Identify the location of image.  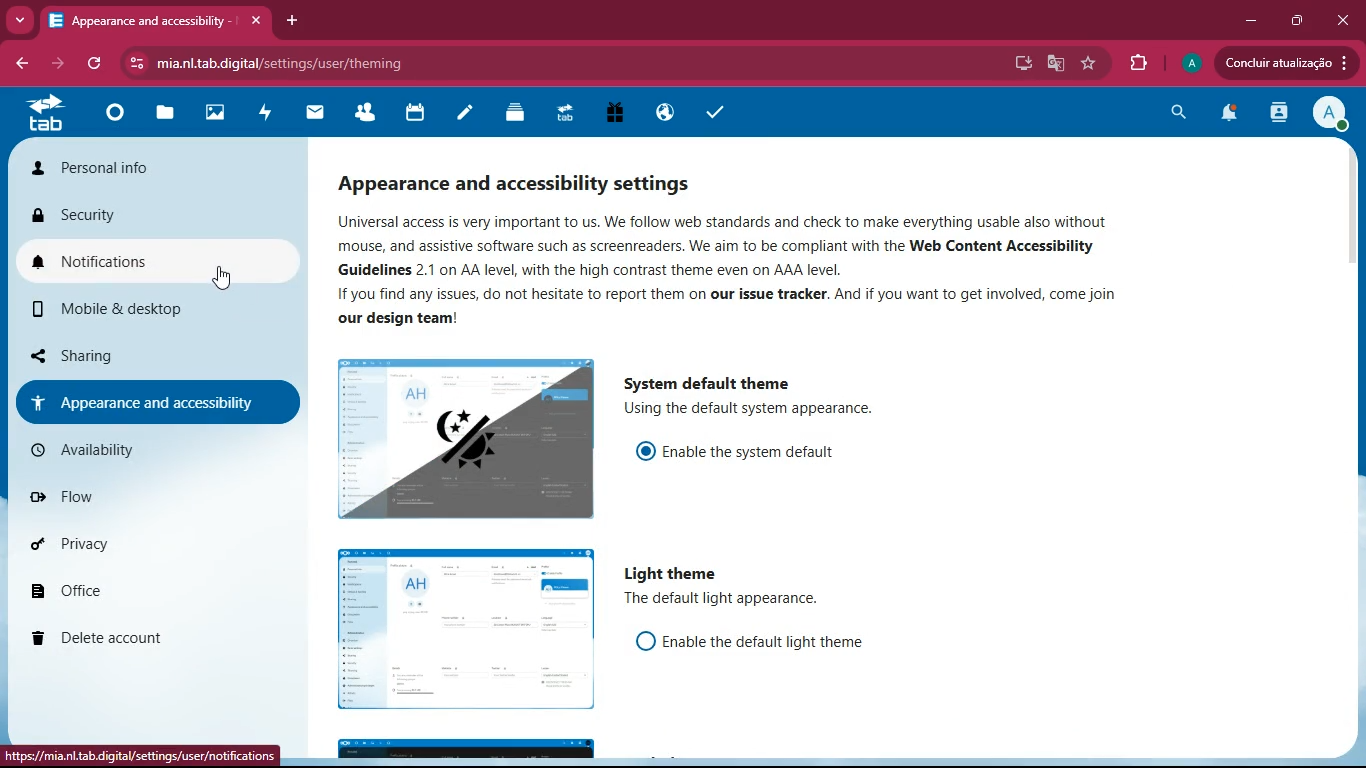
(465, 628).